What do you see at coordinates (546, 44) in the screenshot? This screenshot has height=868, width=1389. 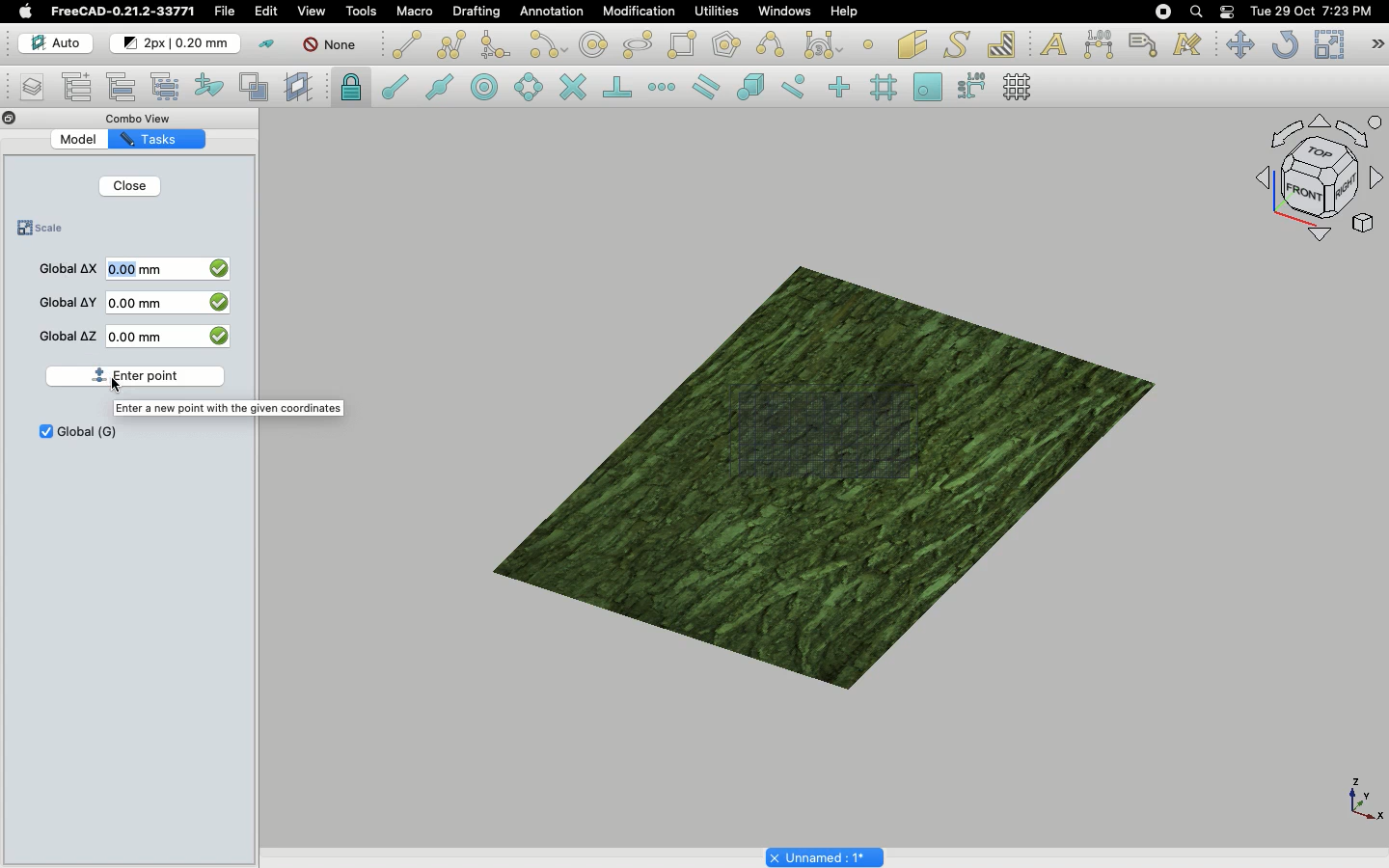 I see `Arc tools` at bounding box center [546, 44].